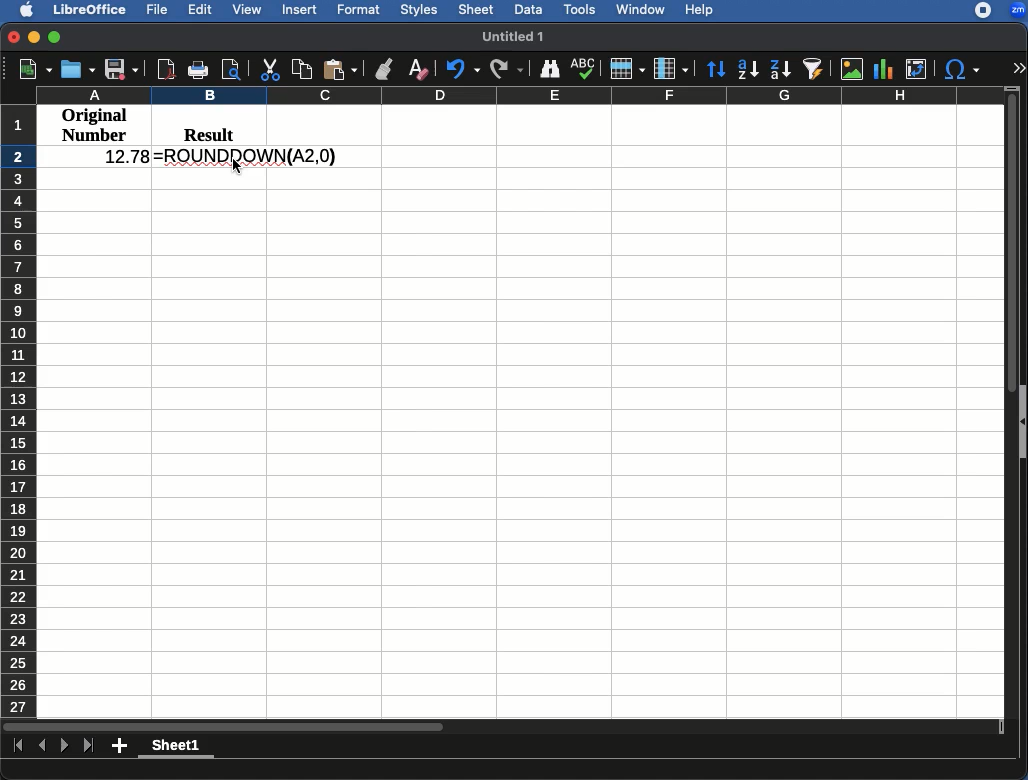  What do you see at coordinates (90, 747) in the screenshot?
I see `Last sheet` at bounding box center [90, 747].